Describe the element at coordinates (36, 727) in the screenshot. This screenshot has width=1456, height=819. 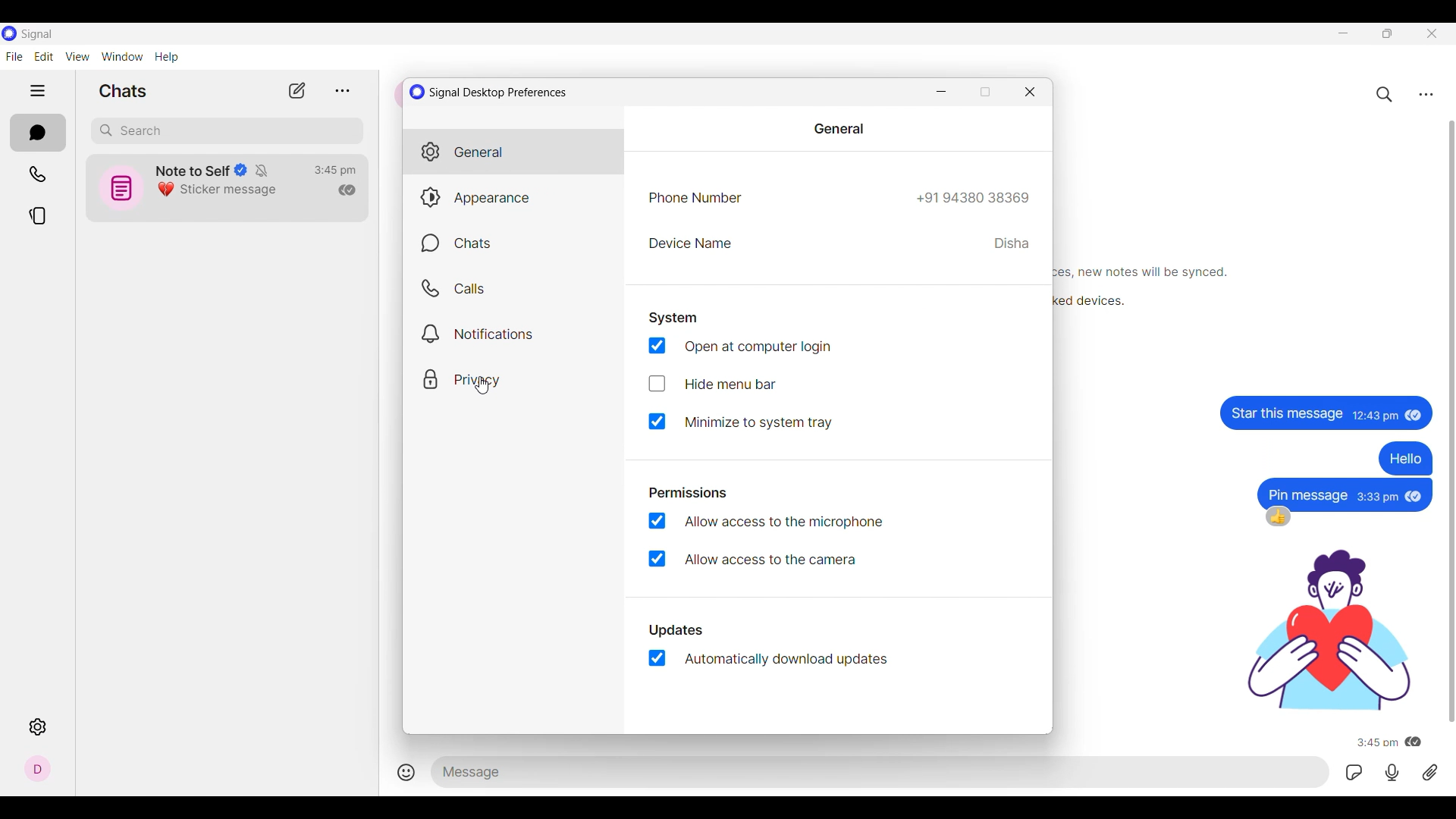
I see `Settings ` at that location.